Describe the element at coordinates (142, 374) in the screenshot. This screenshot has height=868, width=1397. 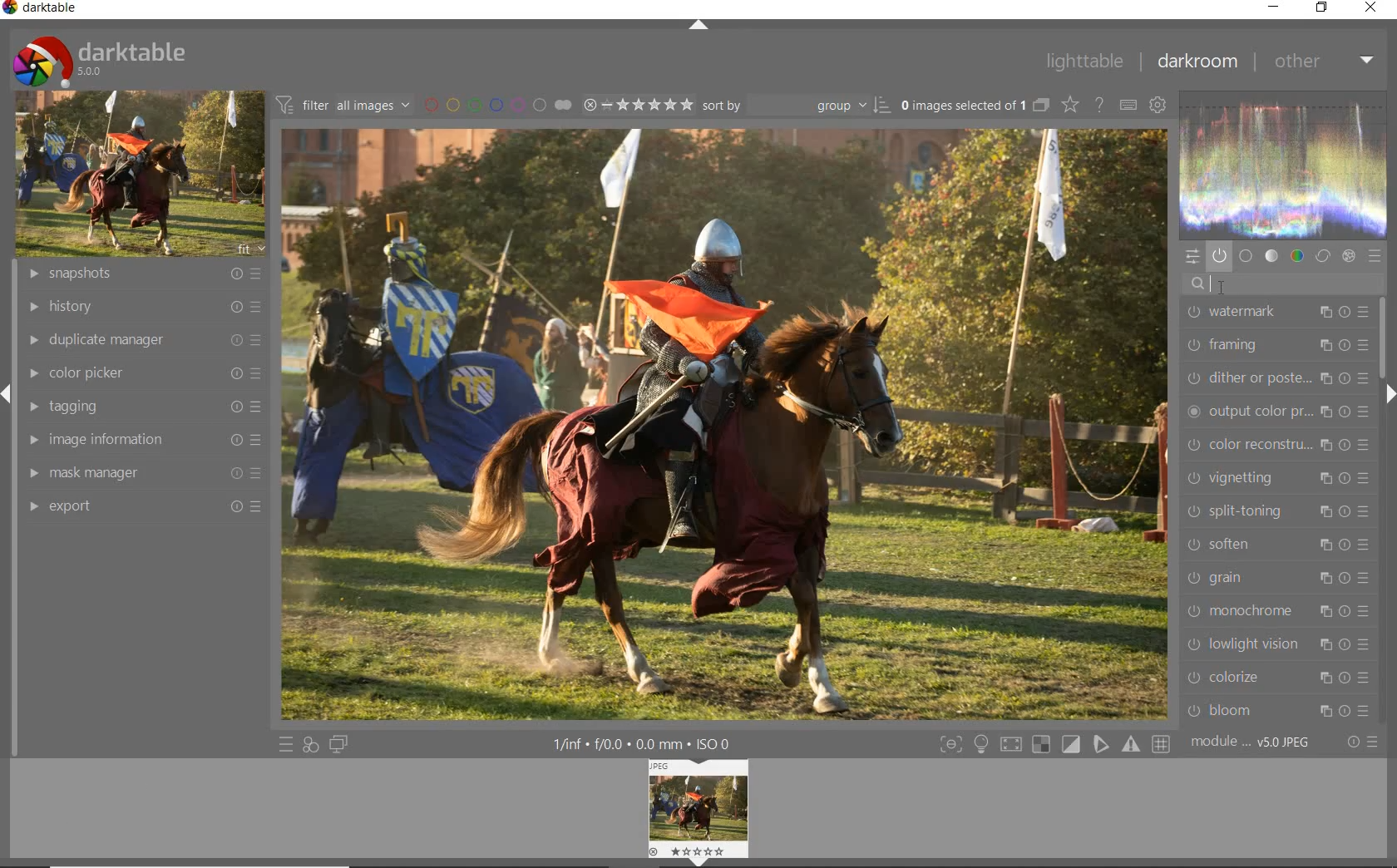
I see `color picker` at that location.